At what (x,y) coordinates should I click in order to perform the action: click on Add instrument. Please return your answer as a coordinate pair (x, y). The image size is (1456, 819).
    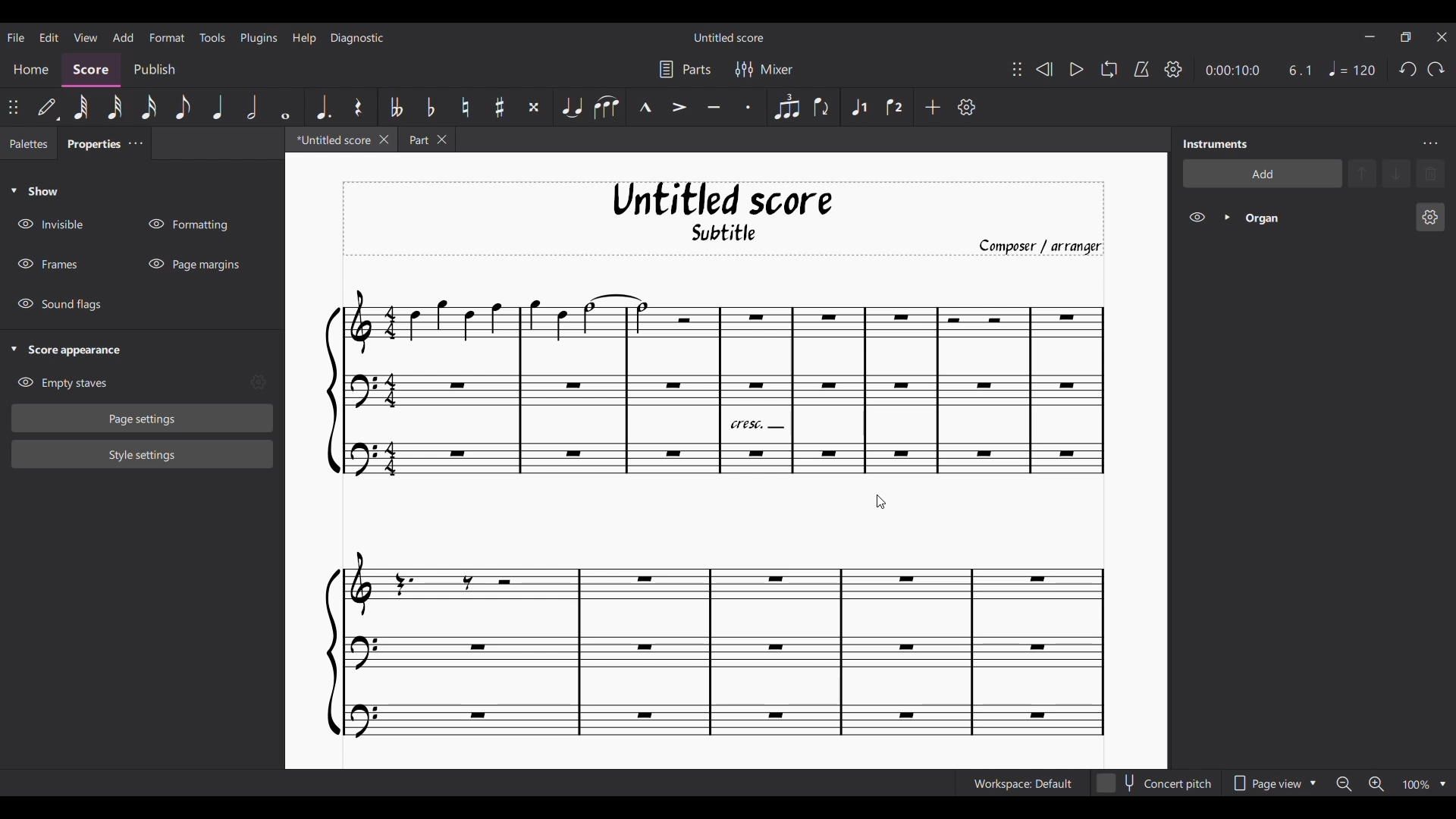
    Looking at the image, I should click on (1262, 173).